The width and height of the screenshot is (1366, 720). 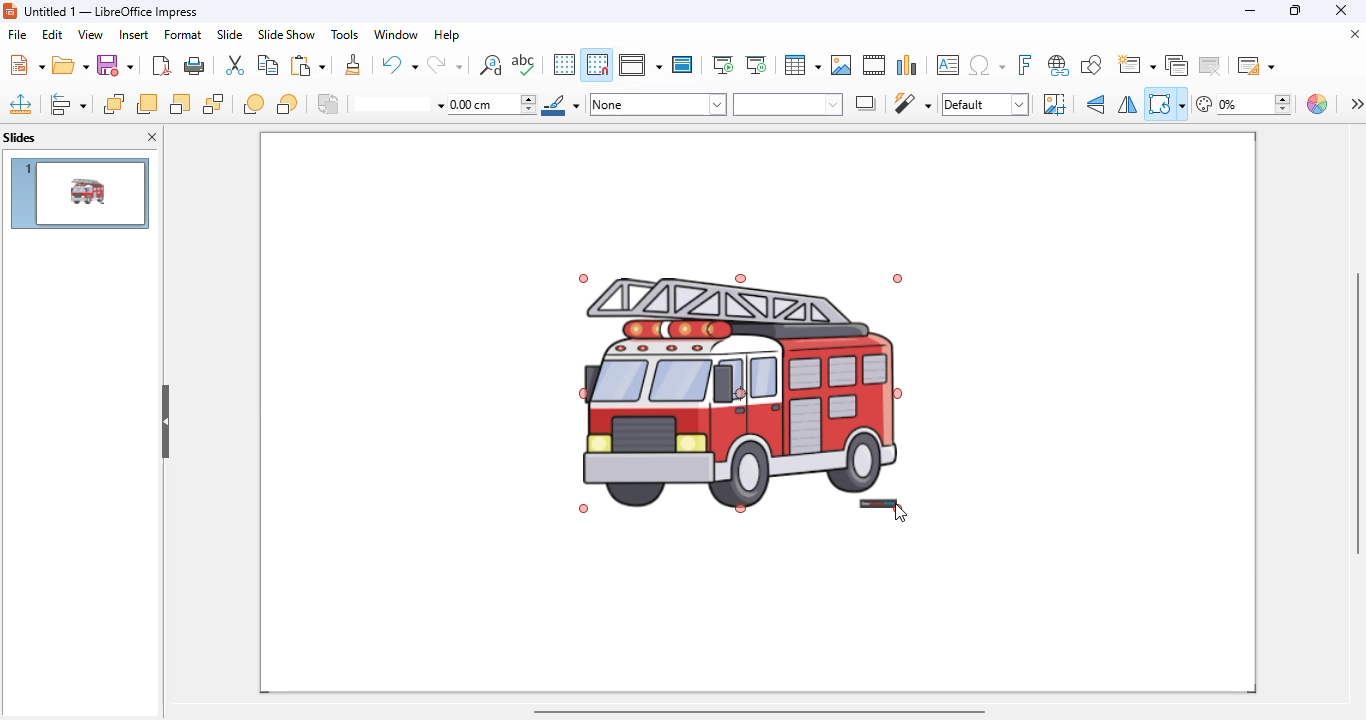 What do you see at coordinates (1210, 64) in the screenshot?
I see `delete slide` at bounding box center [1210, 64].